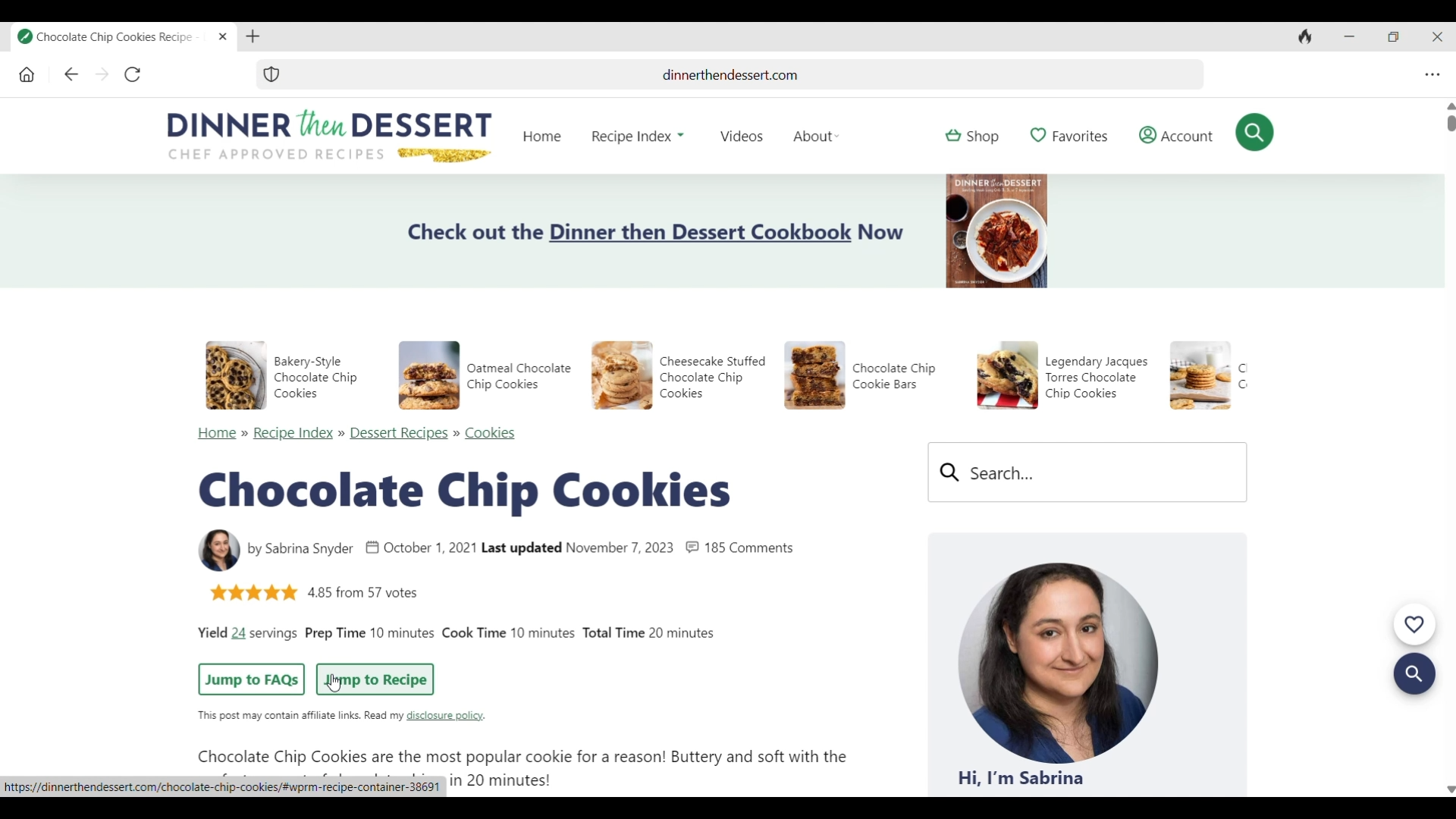 This screenshot has width=1456, height=819. Describe the element at coordinates (814, 376) in the screenshot. I see `Image from other article in the website` at that location.